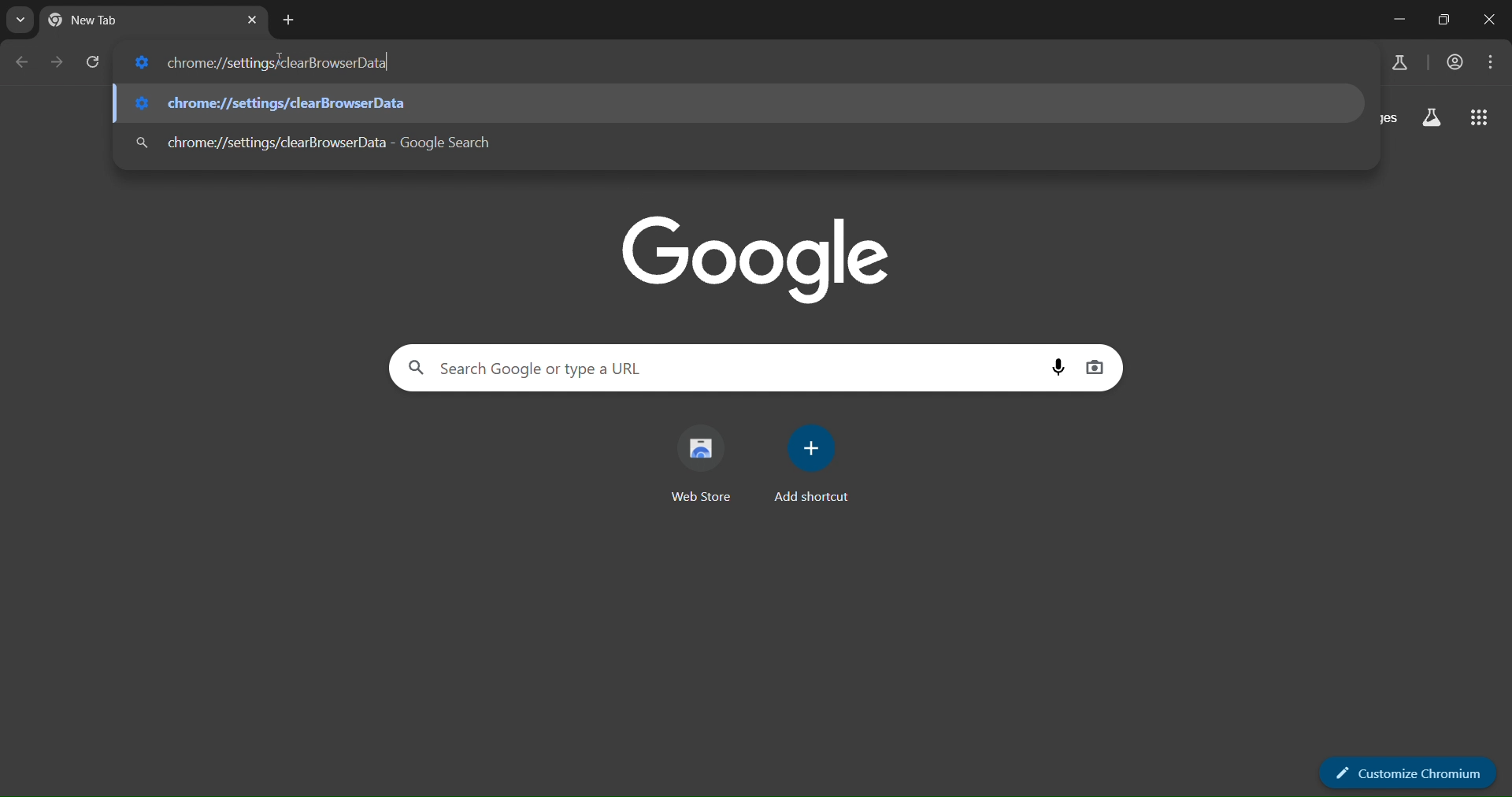 The width and height of the screenshot is (1512, 797). What do you see at coordinates (22, 20) in the screenshot?
I see `search tabs` at bounding box center [22, 20].